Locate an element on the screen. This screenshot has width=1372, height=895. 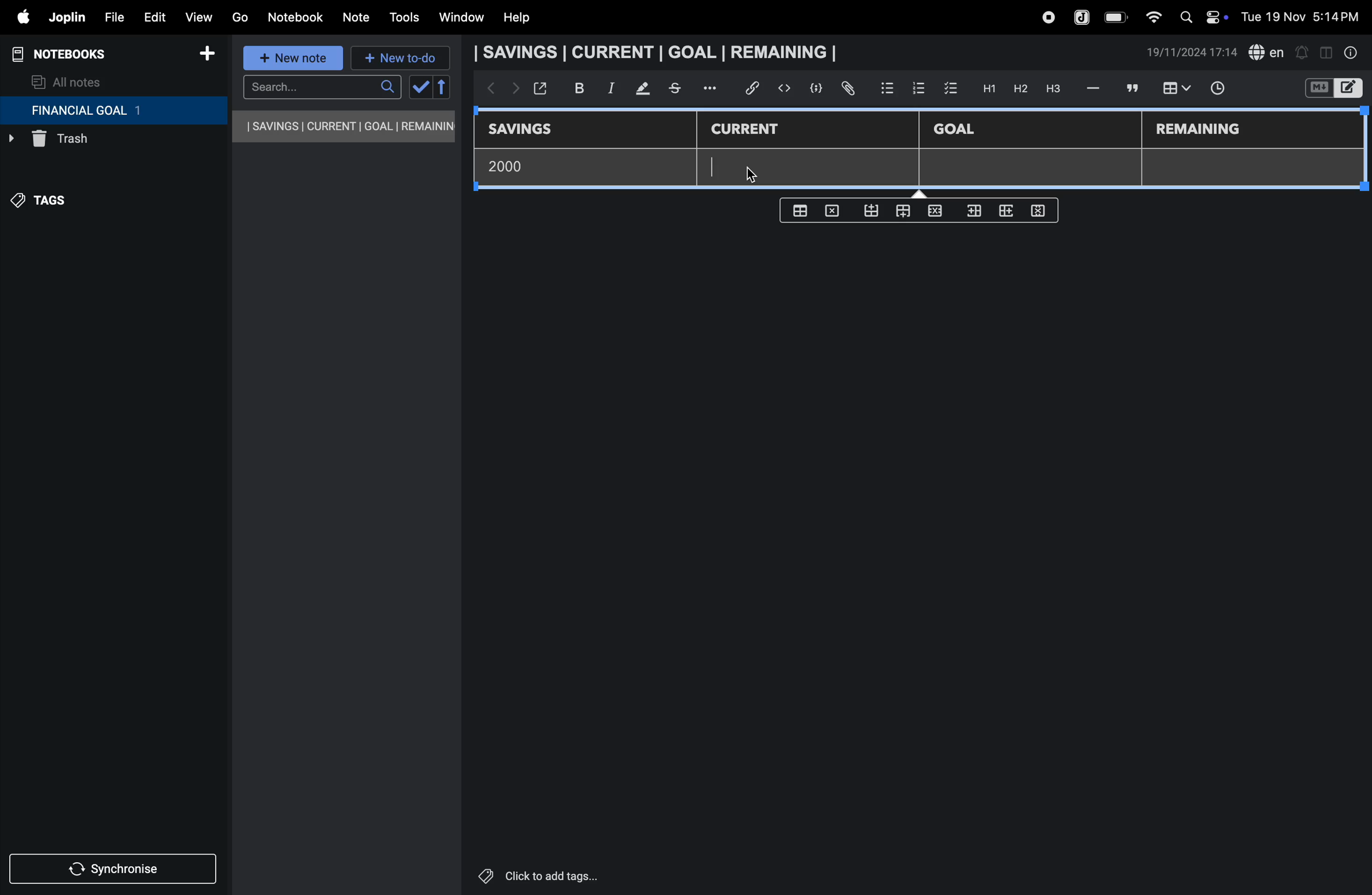
synchronize is located at coordinates (114, 867).